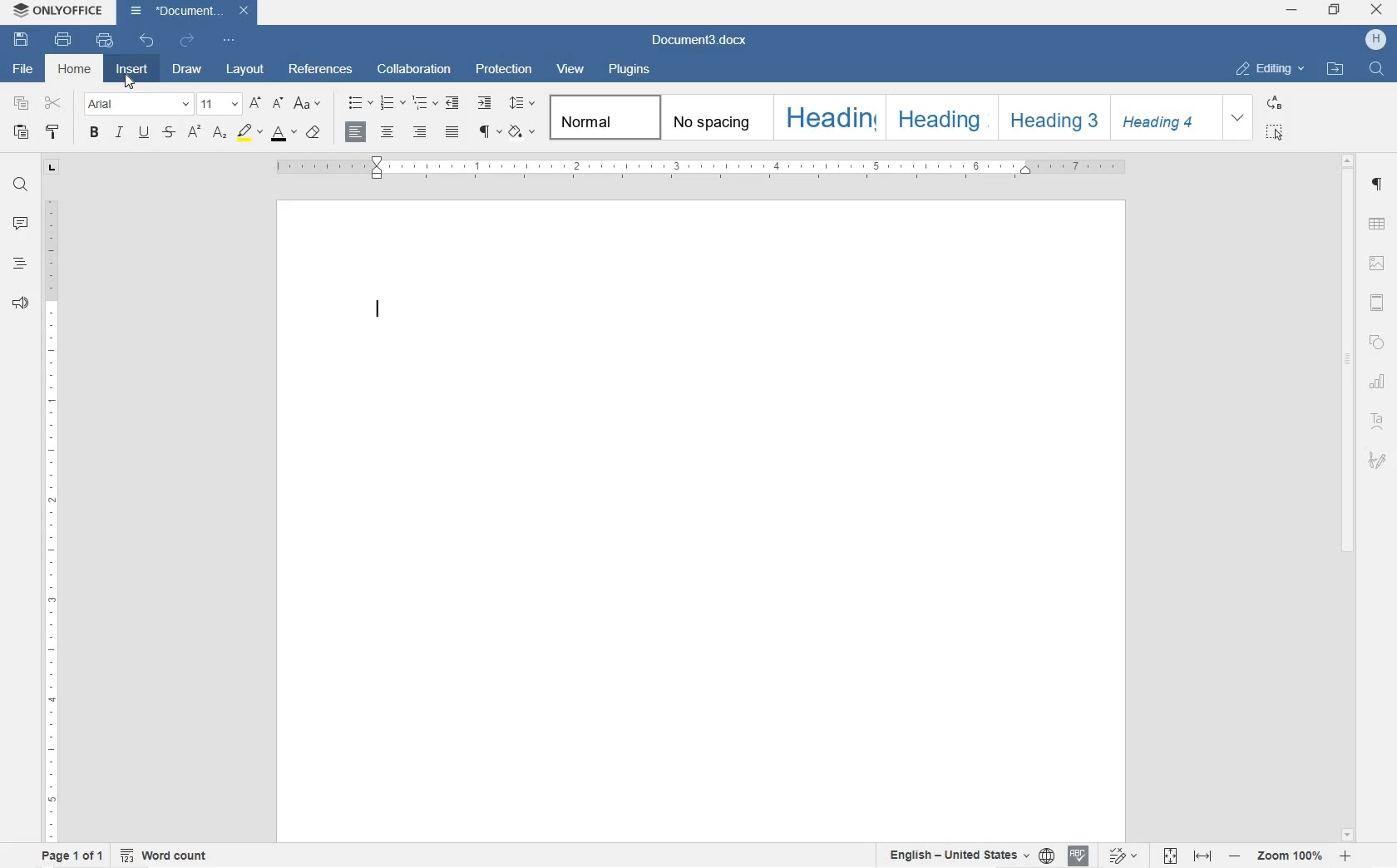 This screenshot has width=1397, height=868. What do you see at coordinates (455, 104) in the screenshot?
I see `DECREASE INDENT` at bounding box center [455, 104].